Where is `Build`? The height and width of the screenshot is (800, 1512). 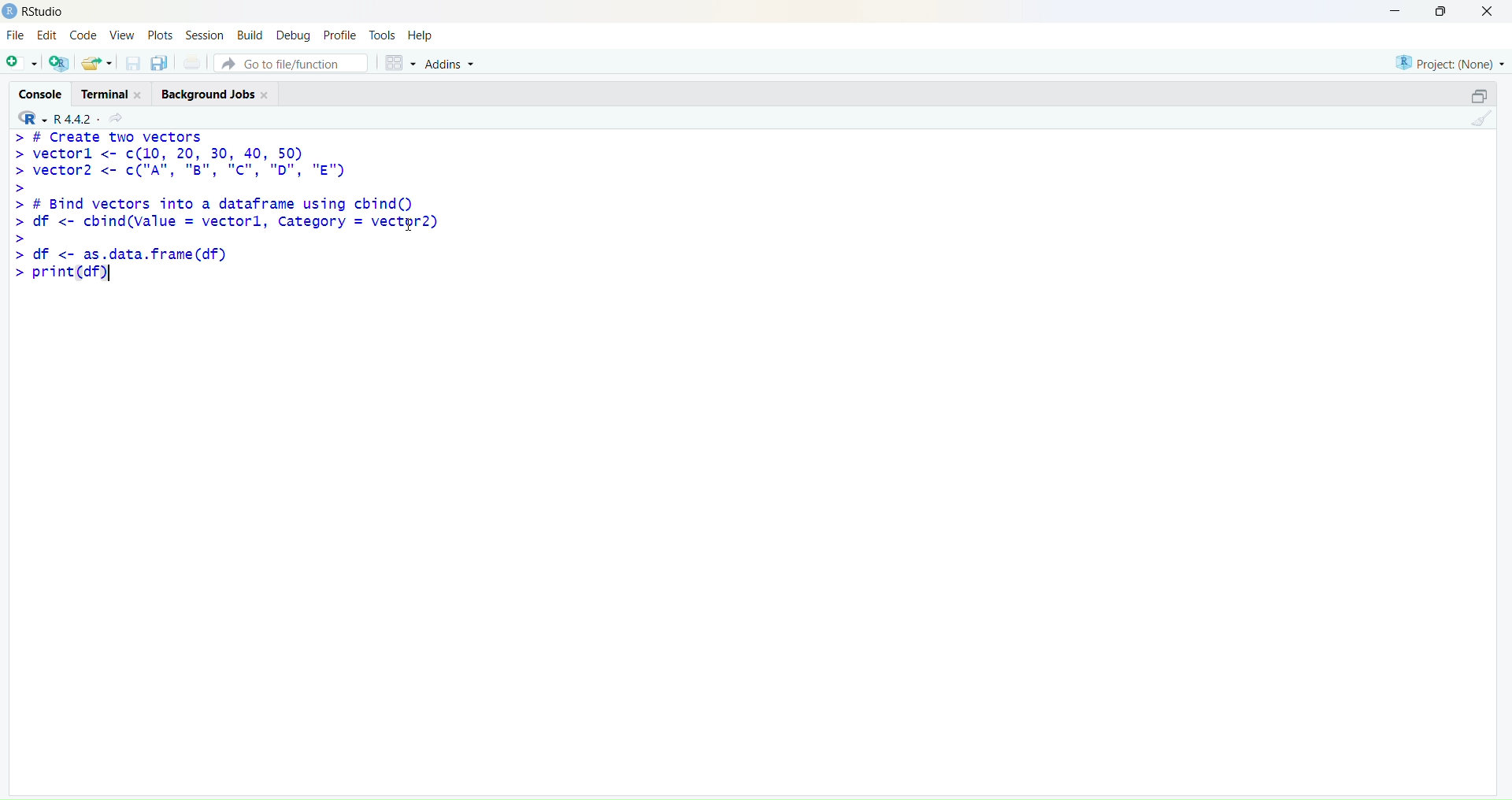
Build is located at coordinates (250, 34).